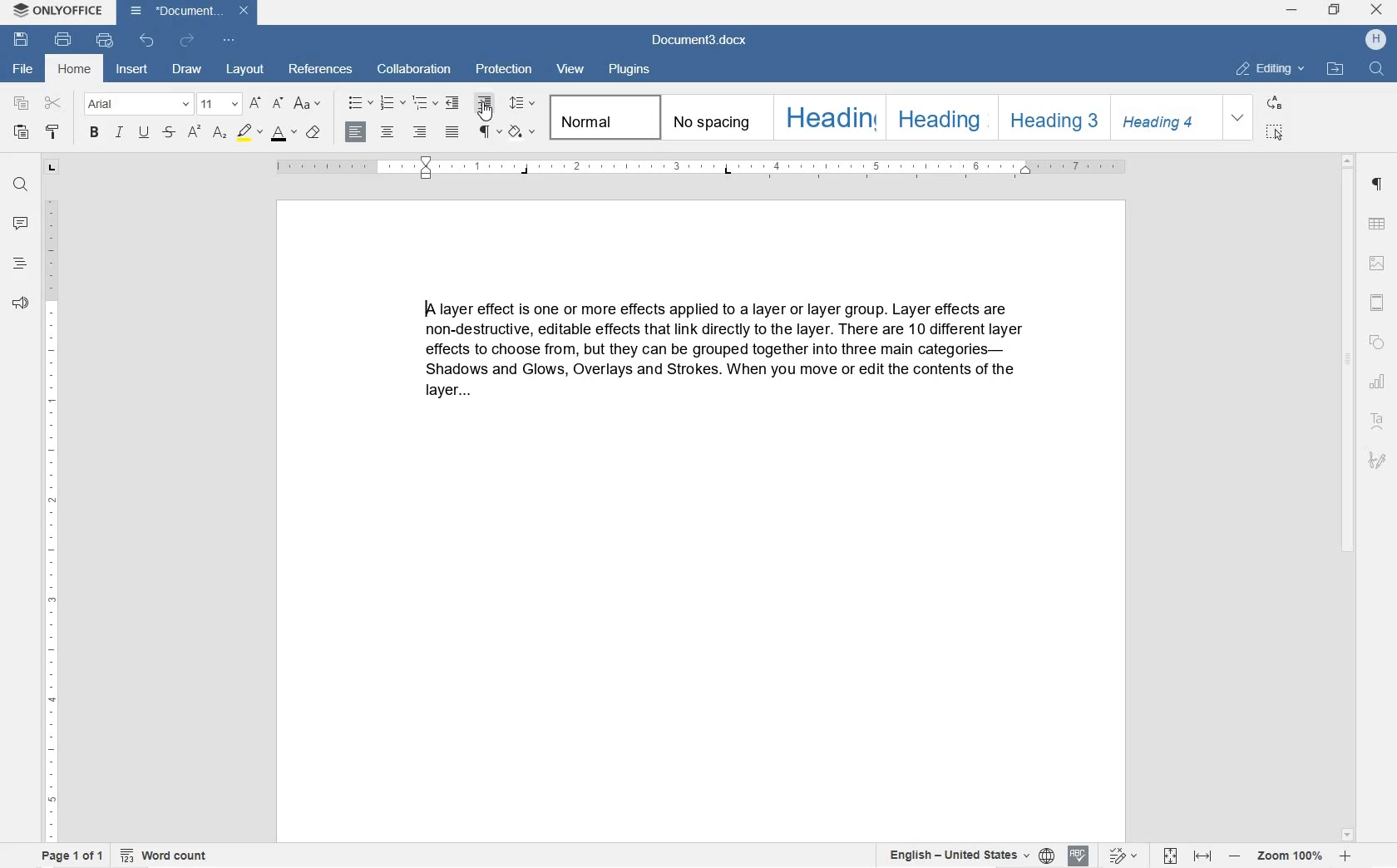  I want to click on PASTE, so click(23, 134).